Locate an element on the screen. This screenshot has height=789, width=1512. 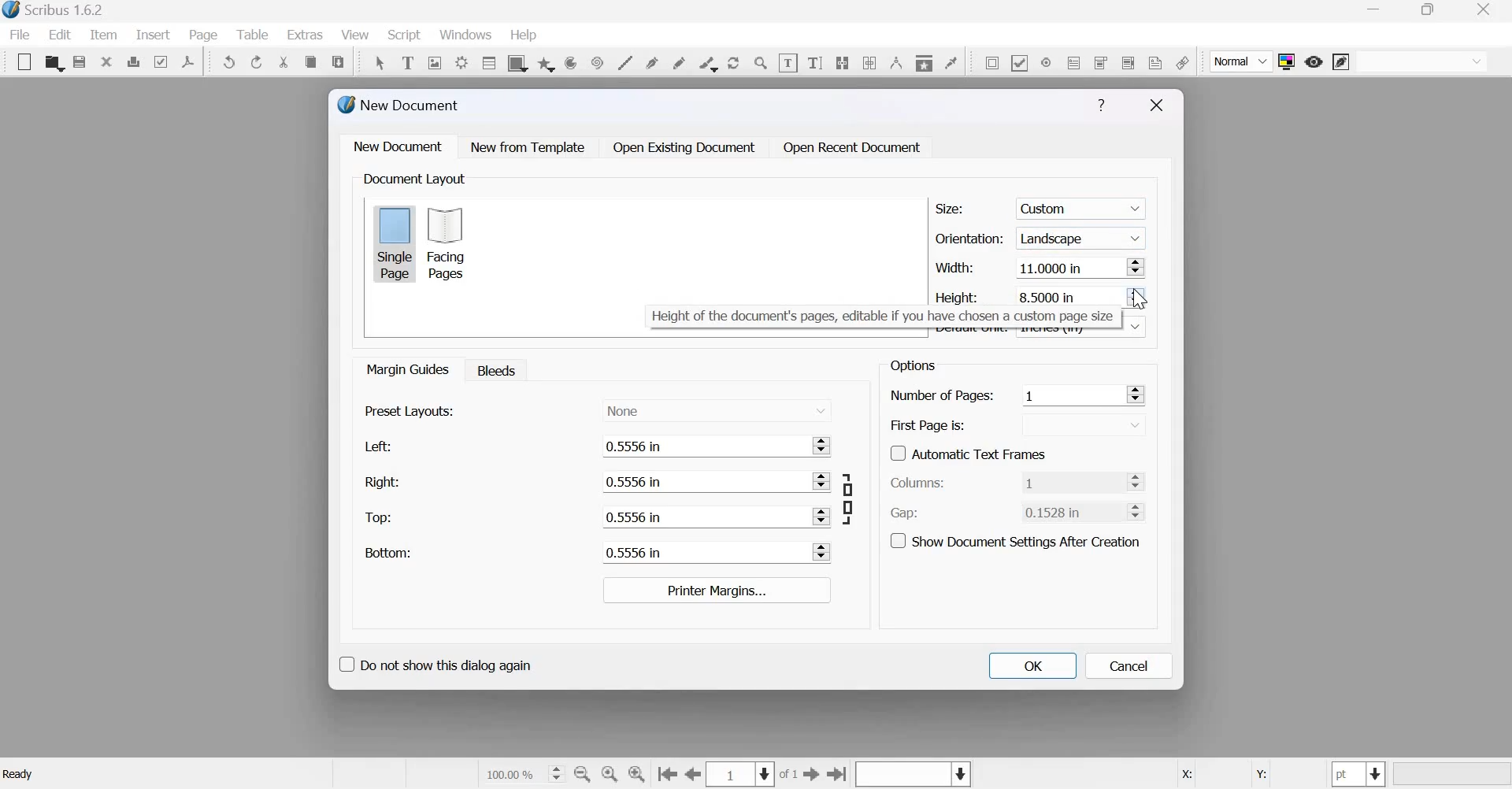
Link text frames is located at coordinates (842, 61).